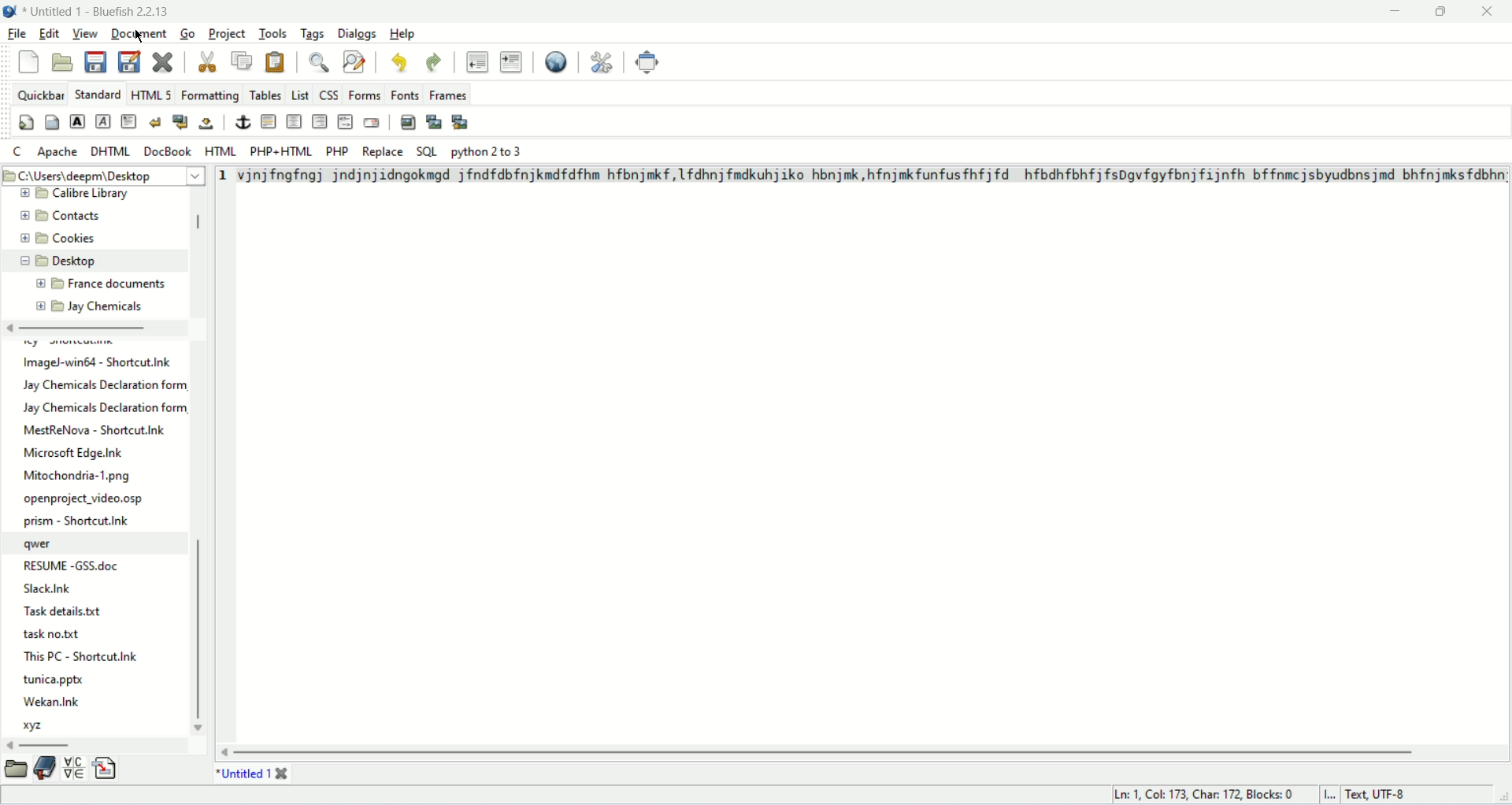  Describe the element at coordinates (433, 121) in the screenshot. I see `insert thumbnail` at that location.